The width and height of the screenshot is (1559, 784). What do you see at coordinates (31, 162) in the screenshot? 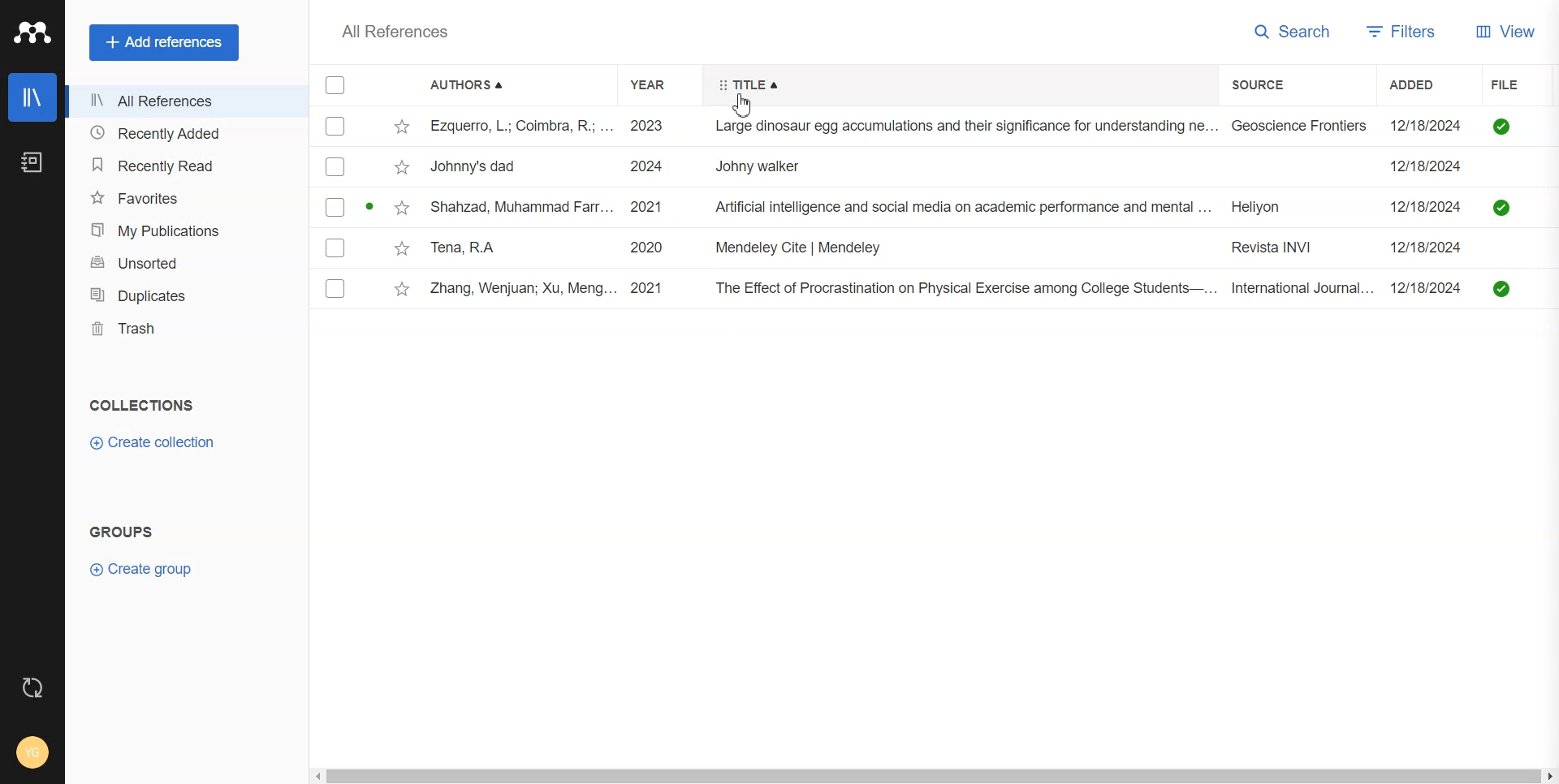
I see `Notebook` at bounding box center [31, 162].